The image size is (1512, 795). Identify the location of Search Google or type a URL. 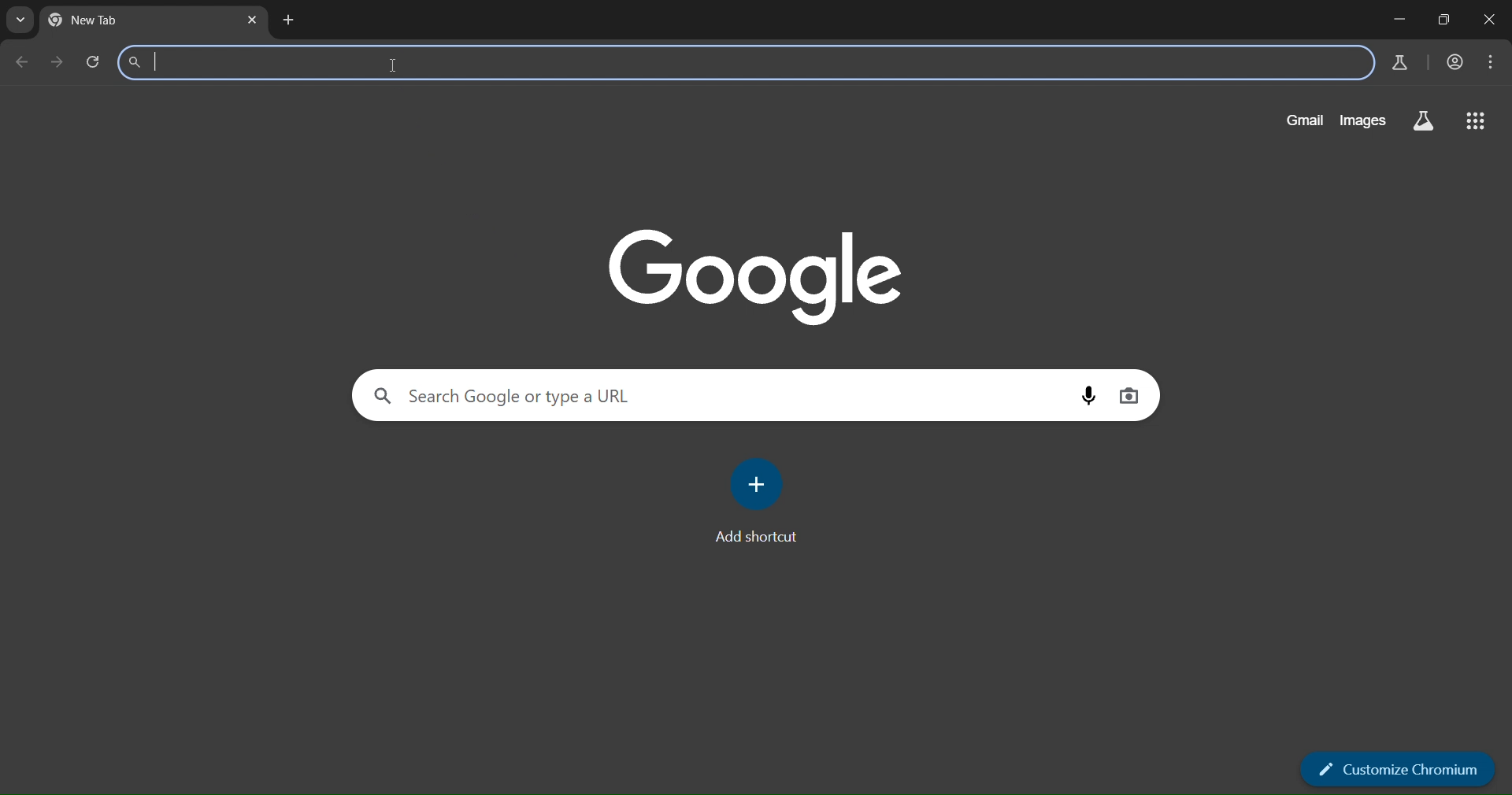
(717, 395).